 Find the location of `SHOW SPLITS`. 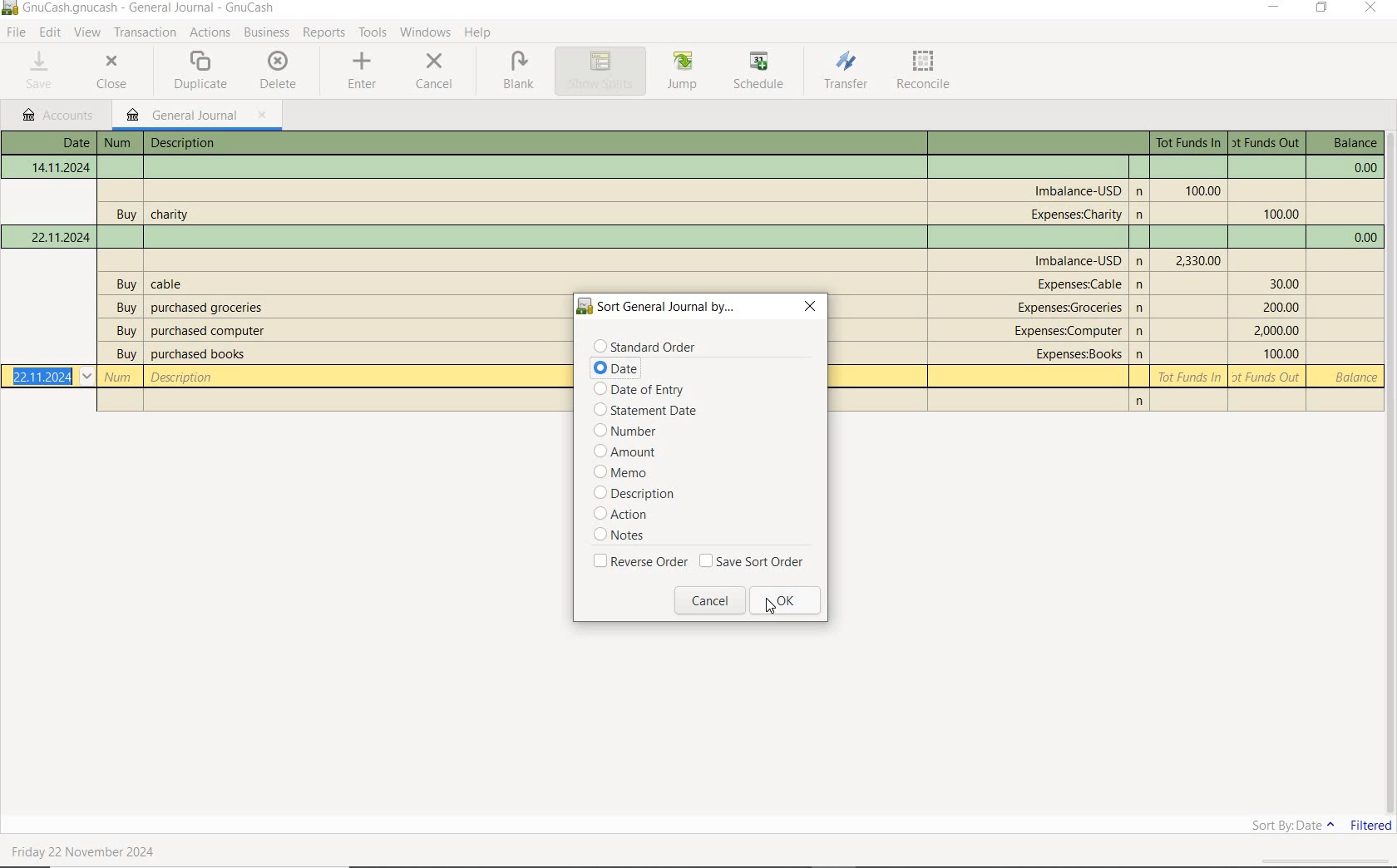

SHOW SPLITS is located at coordinates (601, 71).